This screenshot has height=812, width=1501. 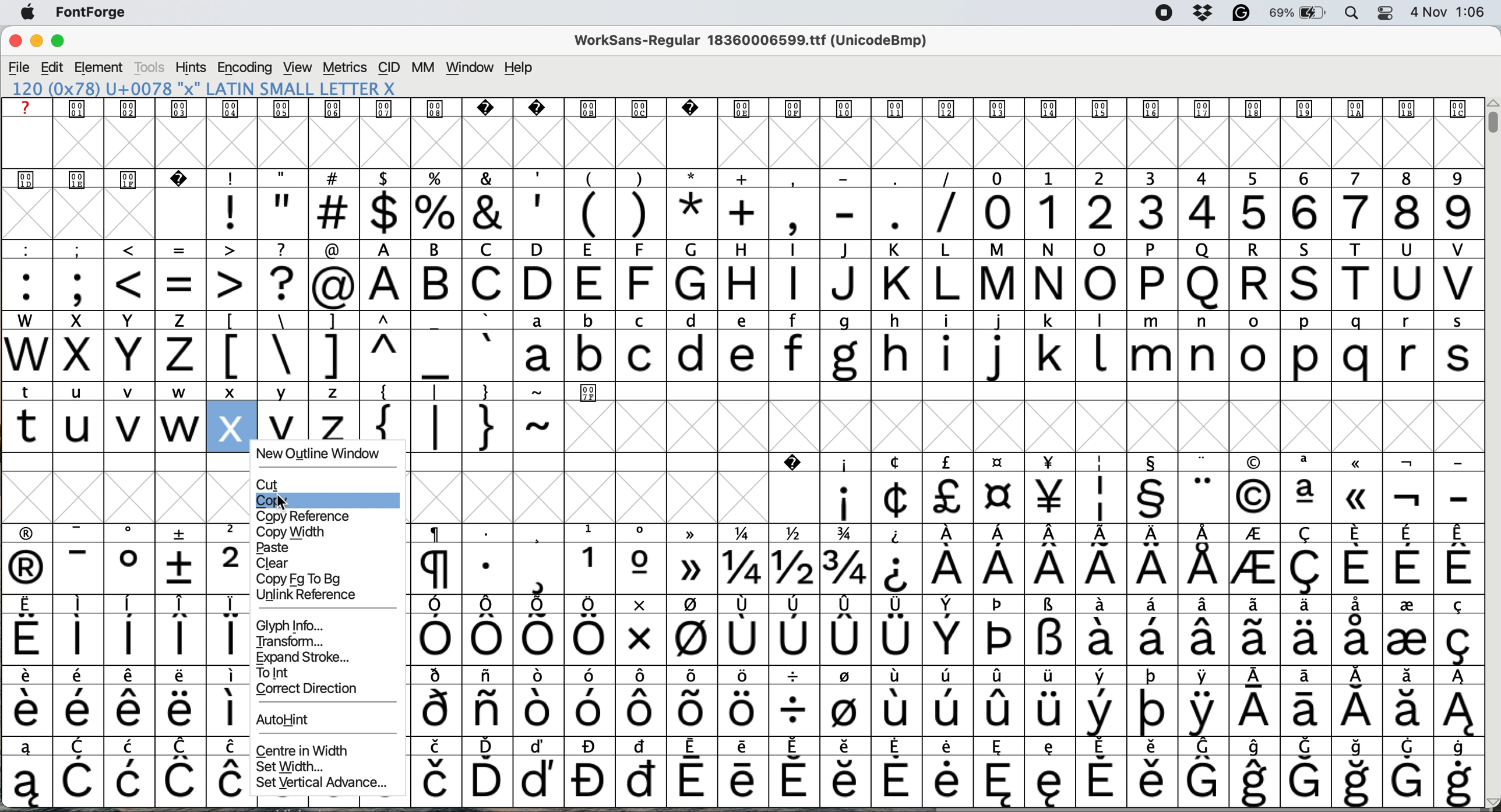 What do you see at coordinates (180, 284) in the screenshot?
I see `special characters` at bounding box center [180, 284].